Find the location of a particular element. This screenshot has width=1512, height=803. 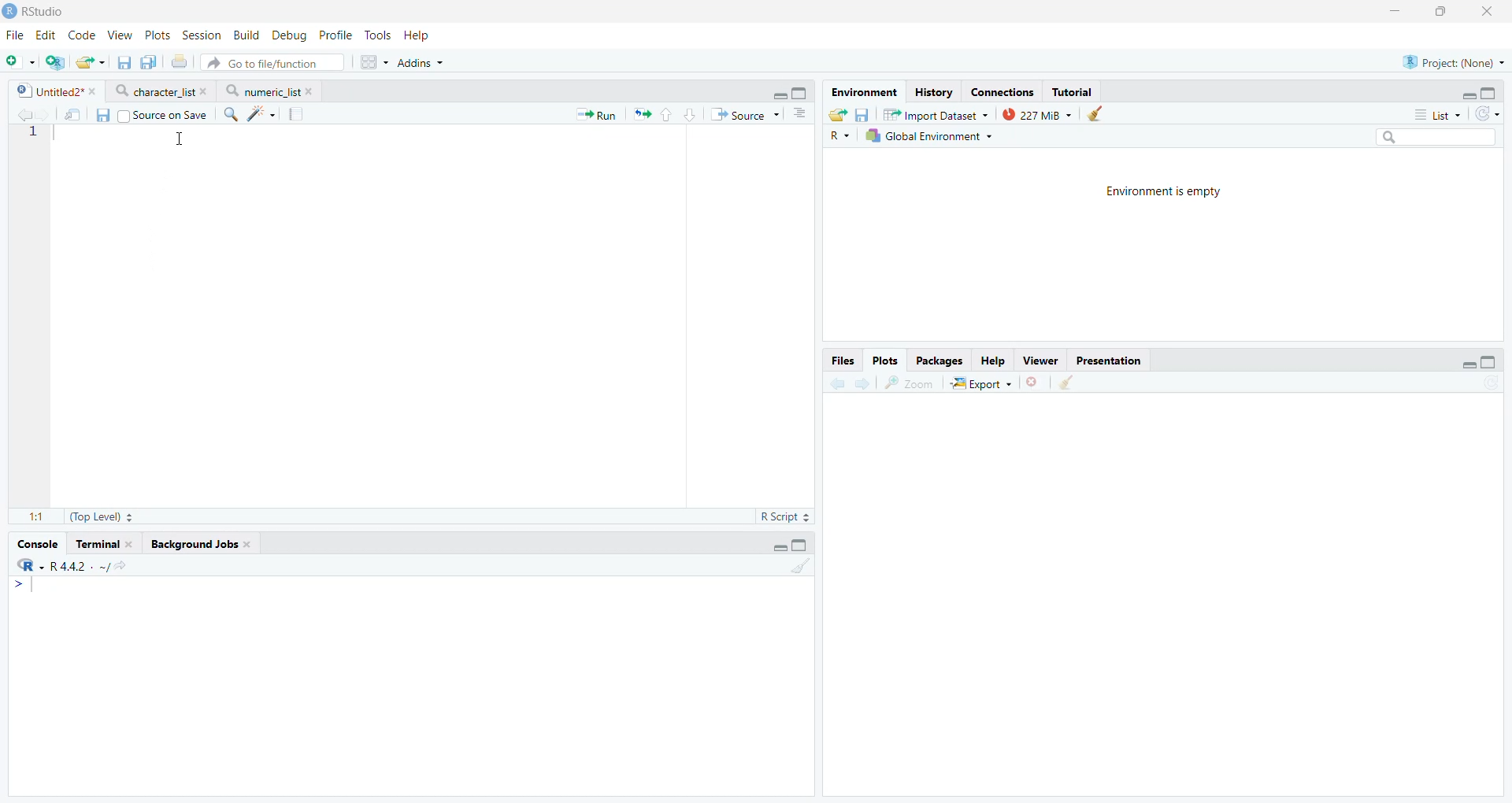

Save is located at coordinates (863, 115).